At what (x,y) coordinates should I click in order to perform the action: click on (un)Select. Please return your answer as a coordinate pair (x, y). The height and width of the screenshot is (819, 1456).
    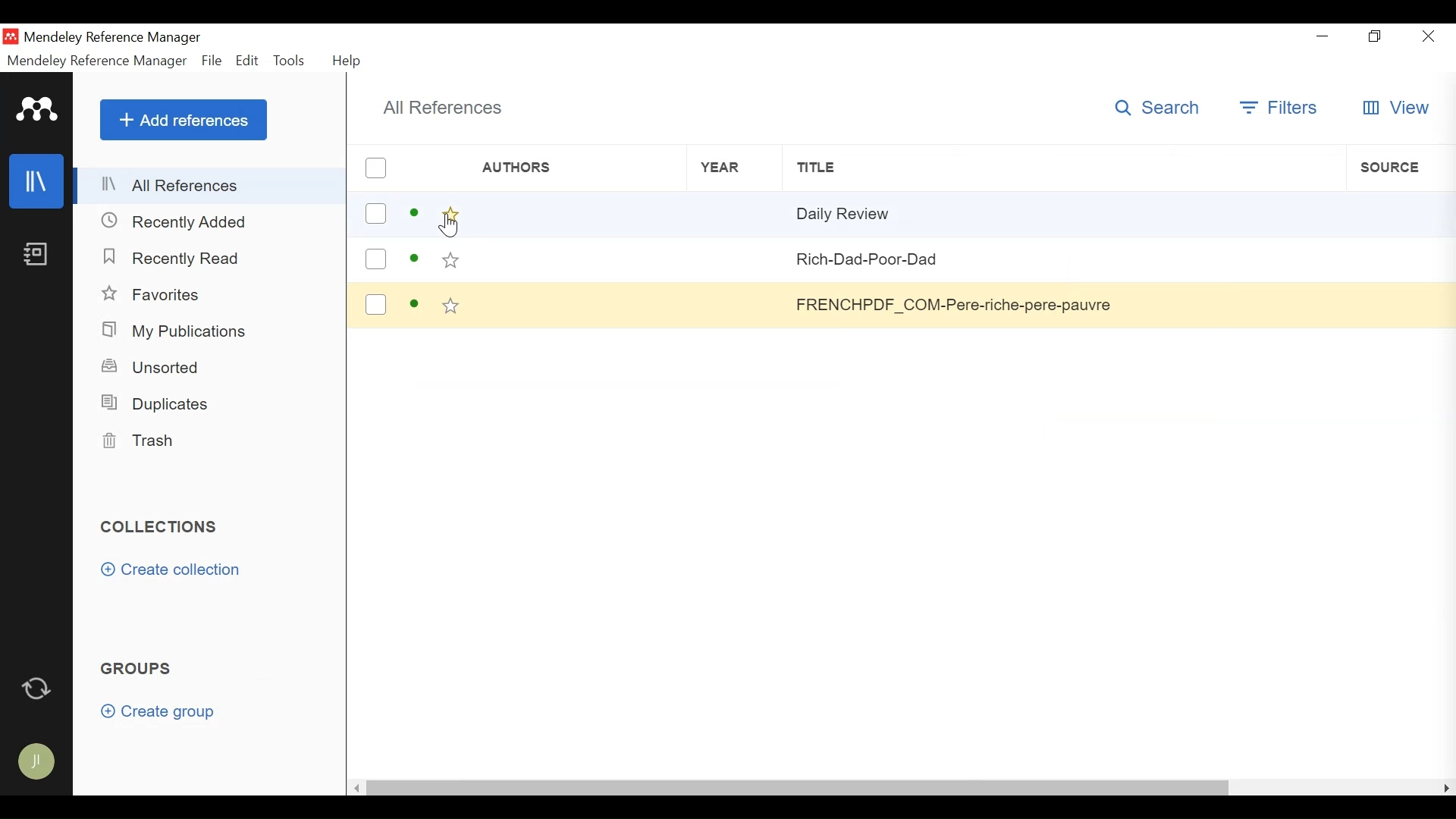
    Looking at the image, I should click on (375, 168).